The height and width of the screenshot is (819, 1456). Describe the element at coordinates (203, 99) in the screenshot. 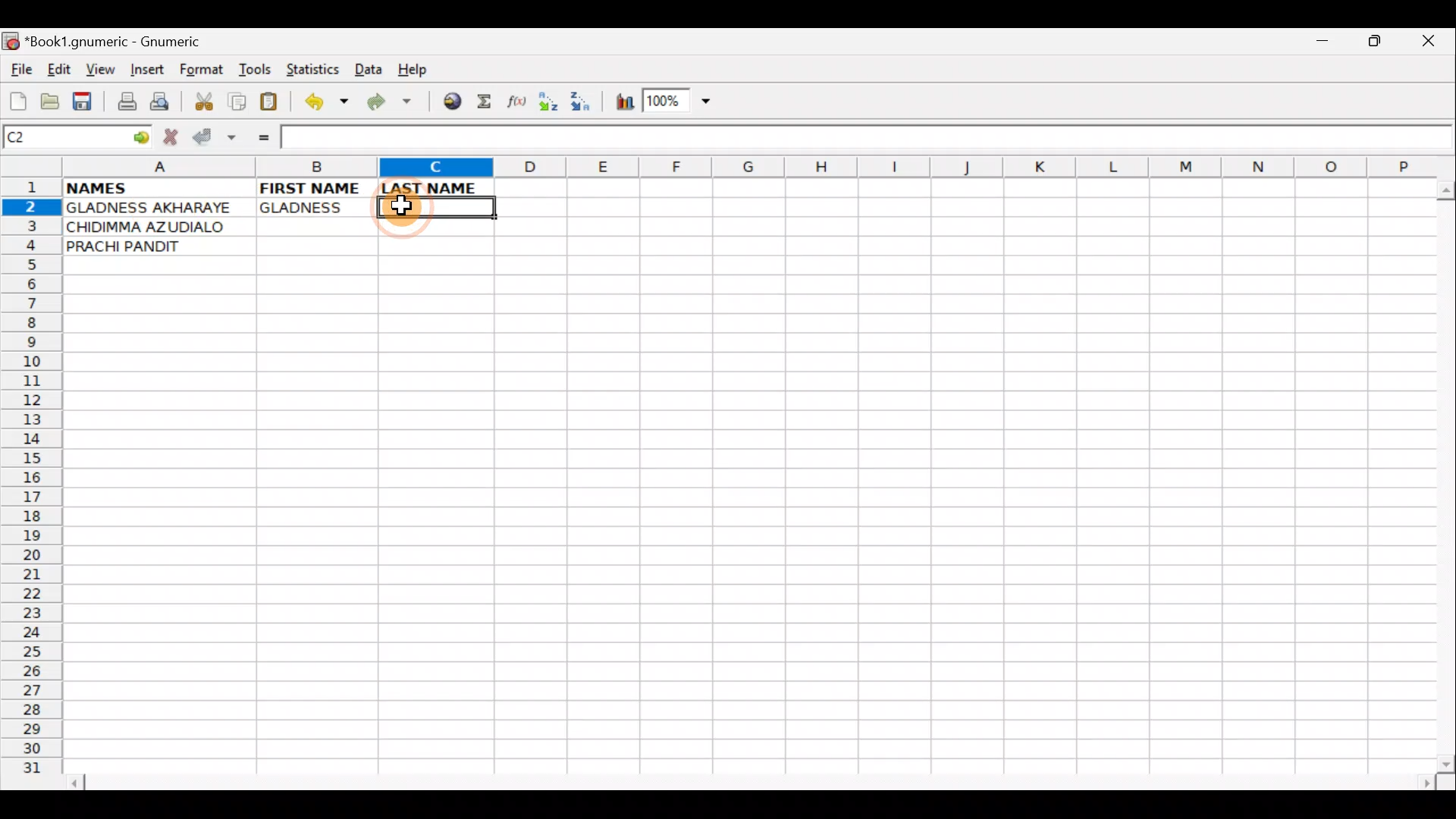

I see `Cut selection` at that location.